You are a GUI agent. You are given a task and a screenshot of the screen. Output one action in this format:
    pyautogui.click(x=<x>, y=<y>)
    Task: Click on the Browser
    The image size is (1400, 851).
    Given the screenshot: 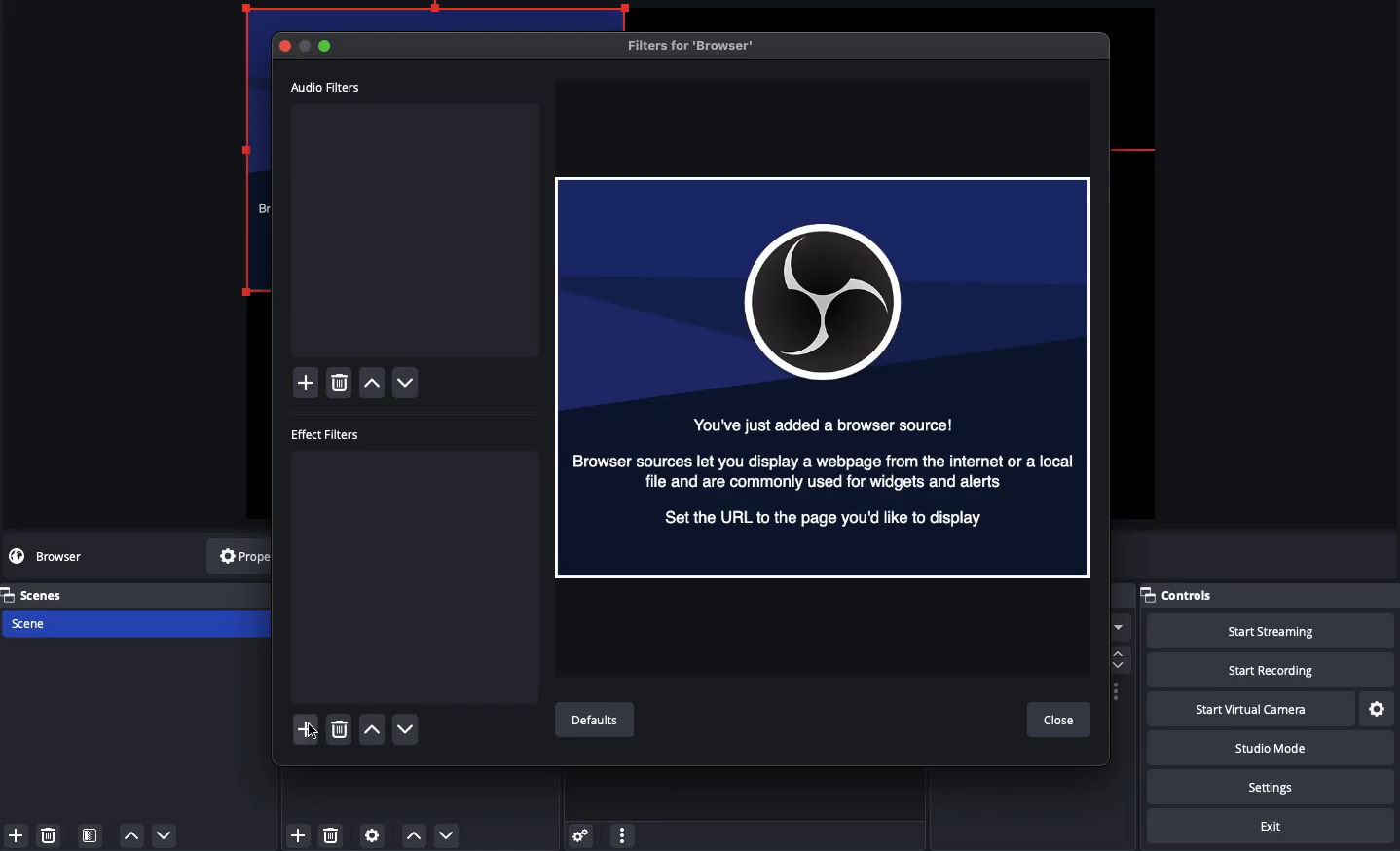 What is the action you would take?
    pyautogui.click(x=825, y=377)
    